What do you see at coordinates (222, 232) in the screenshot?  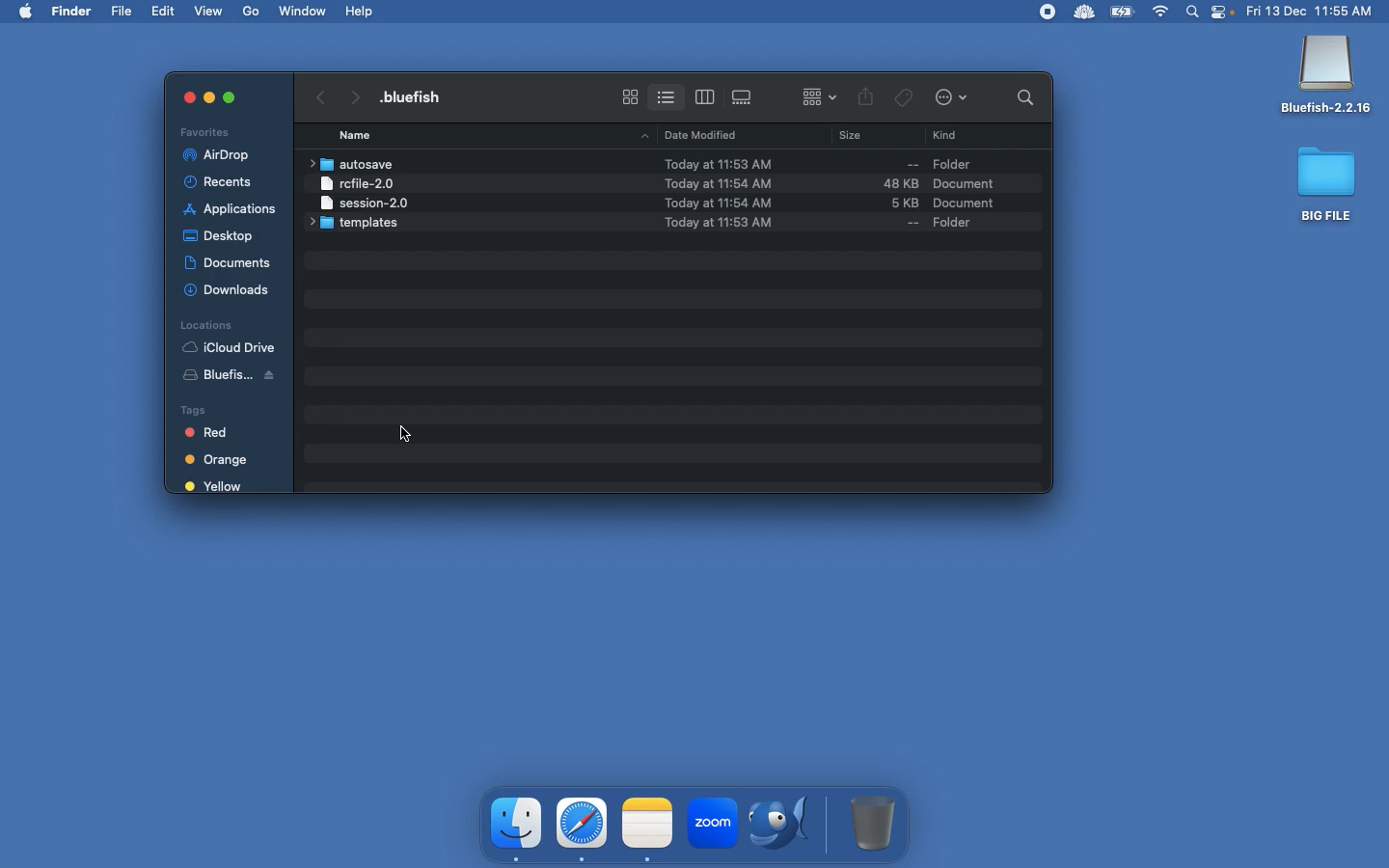 I see `desktop` at bounding box center [222, 232].